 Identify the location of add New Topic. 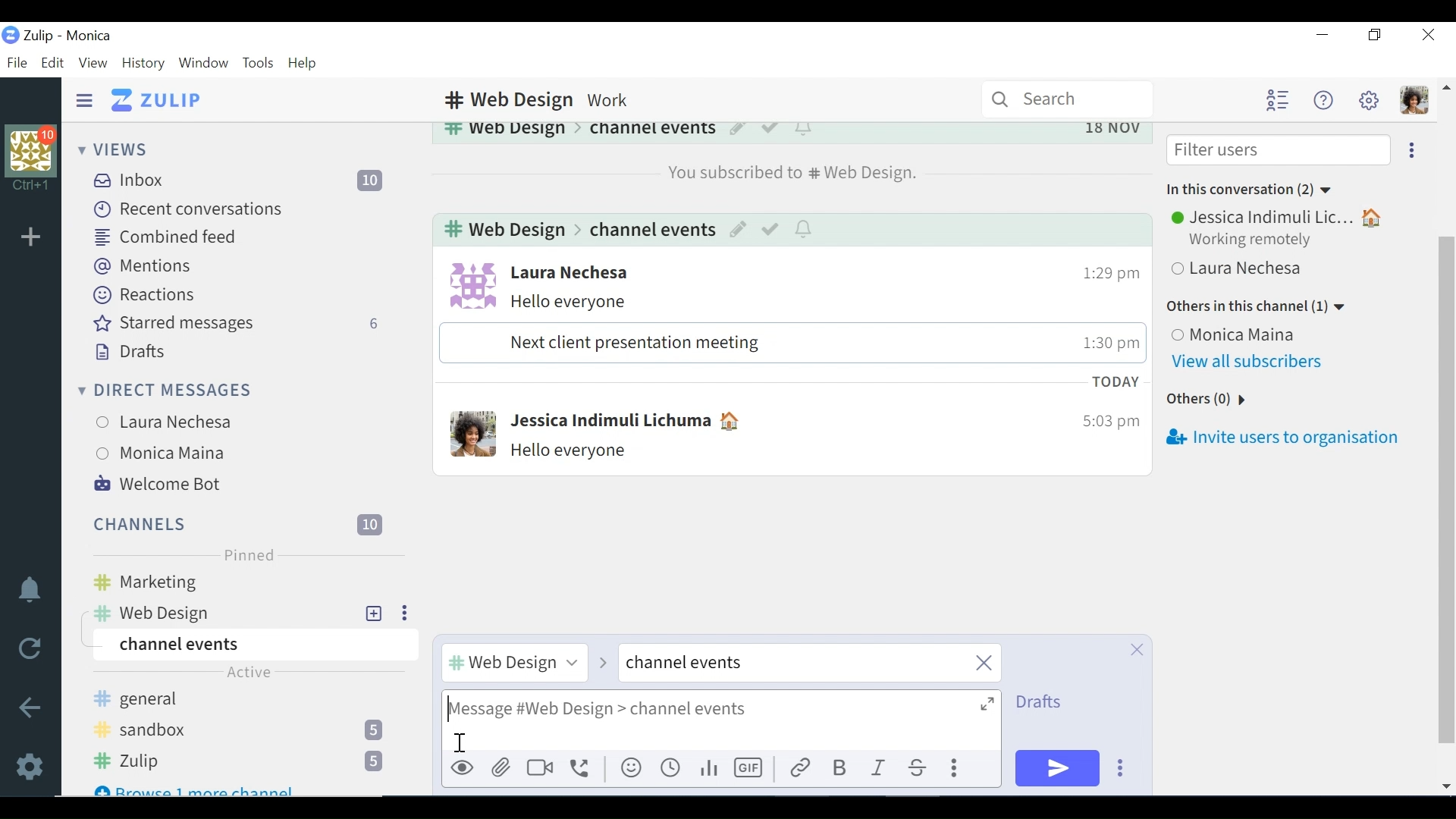
(375, 613).